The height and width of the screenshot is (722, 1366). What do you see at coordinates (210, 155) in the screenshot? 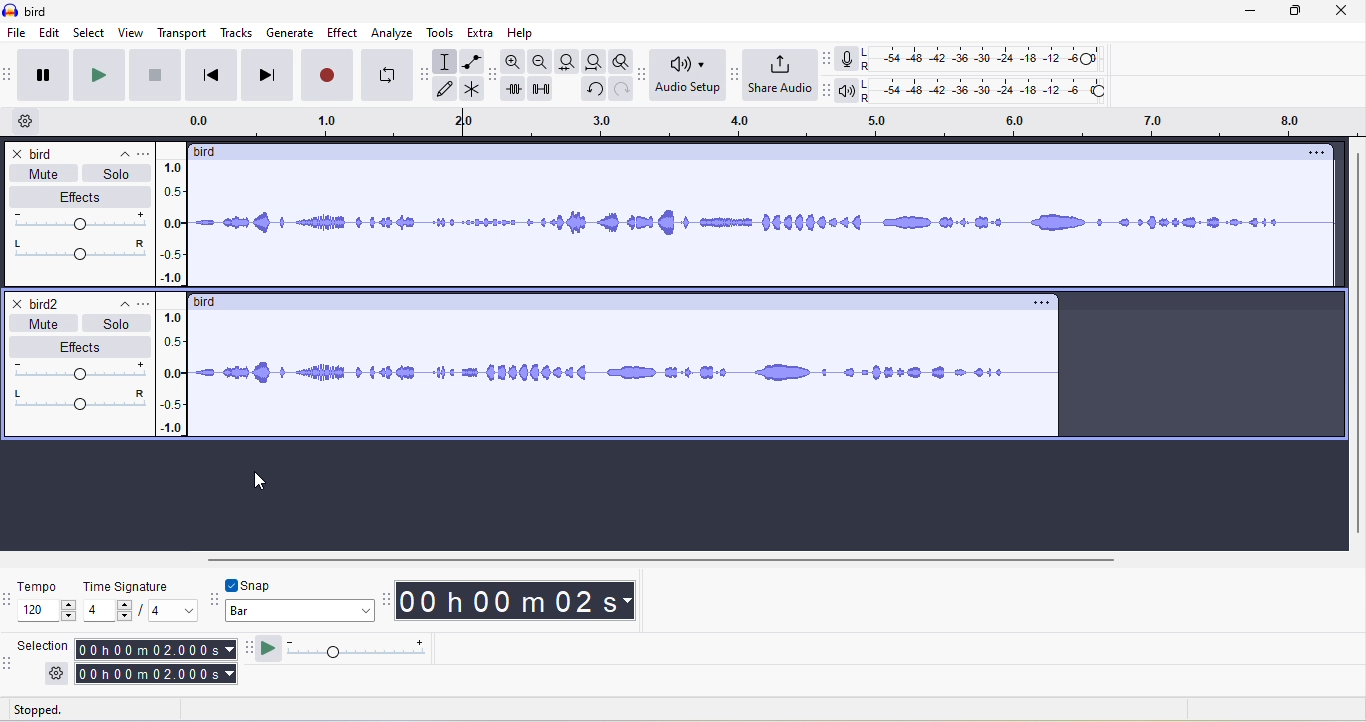
I see `birdd` at bounding box center [210, 155].